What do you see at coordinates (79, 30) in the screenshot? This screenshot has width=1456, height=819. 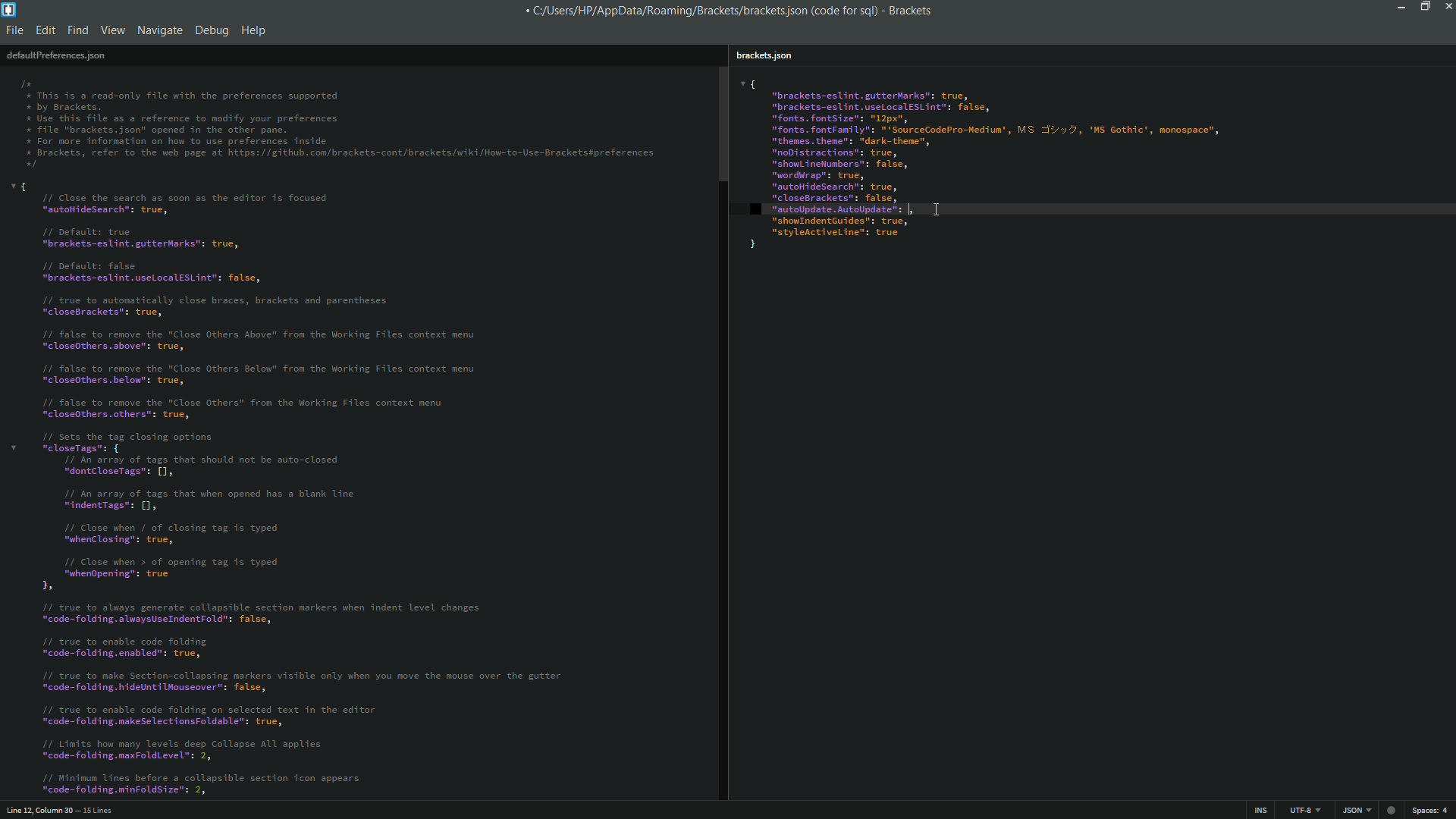 I see `find menu` at bounding box center [79, 30].